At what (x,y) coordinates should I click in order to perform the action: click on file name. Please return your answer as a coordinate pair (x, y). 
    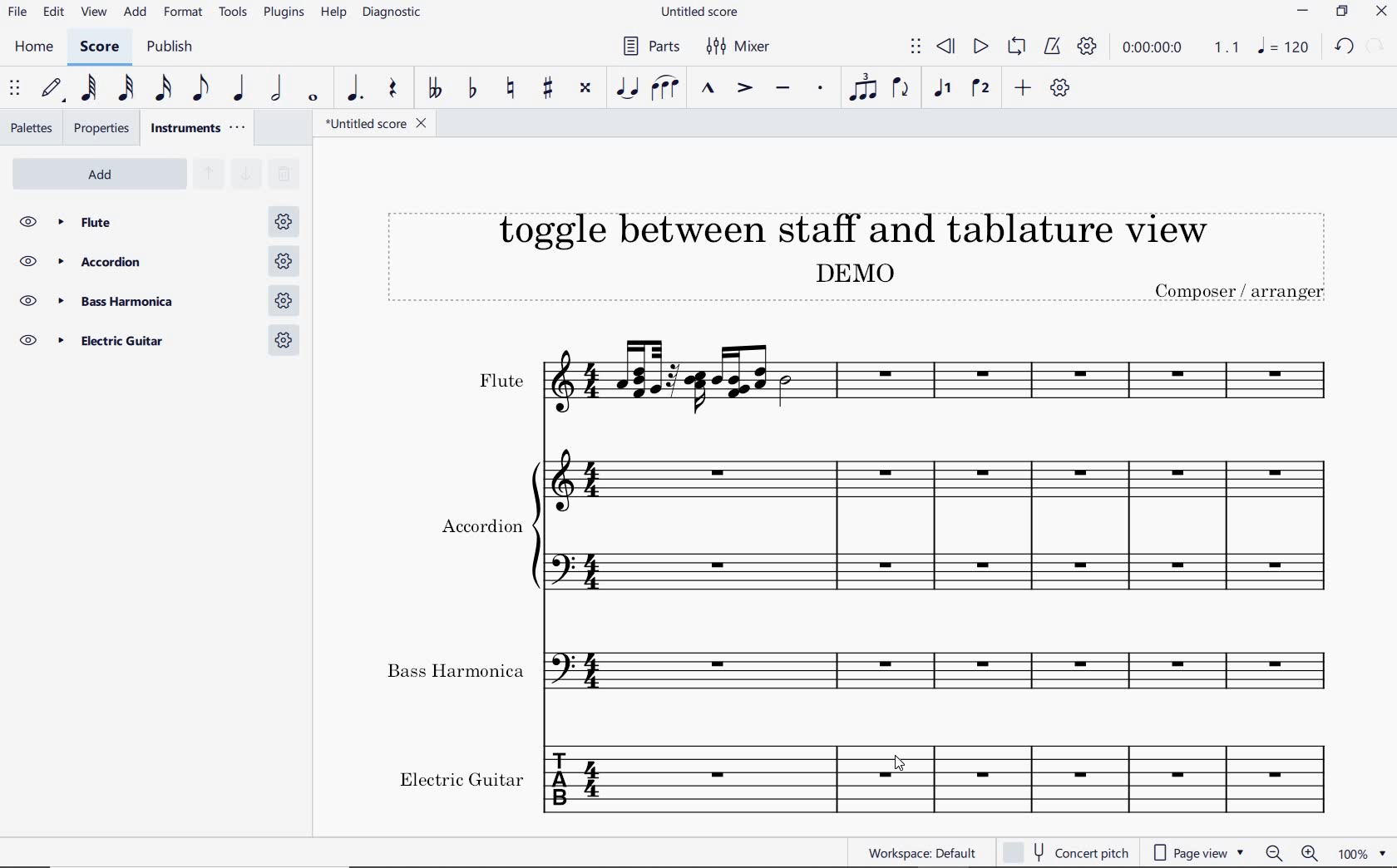
    Looking at the image, I should click on (698, 12).